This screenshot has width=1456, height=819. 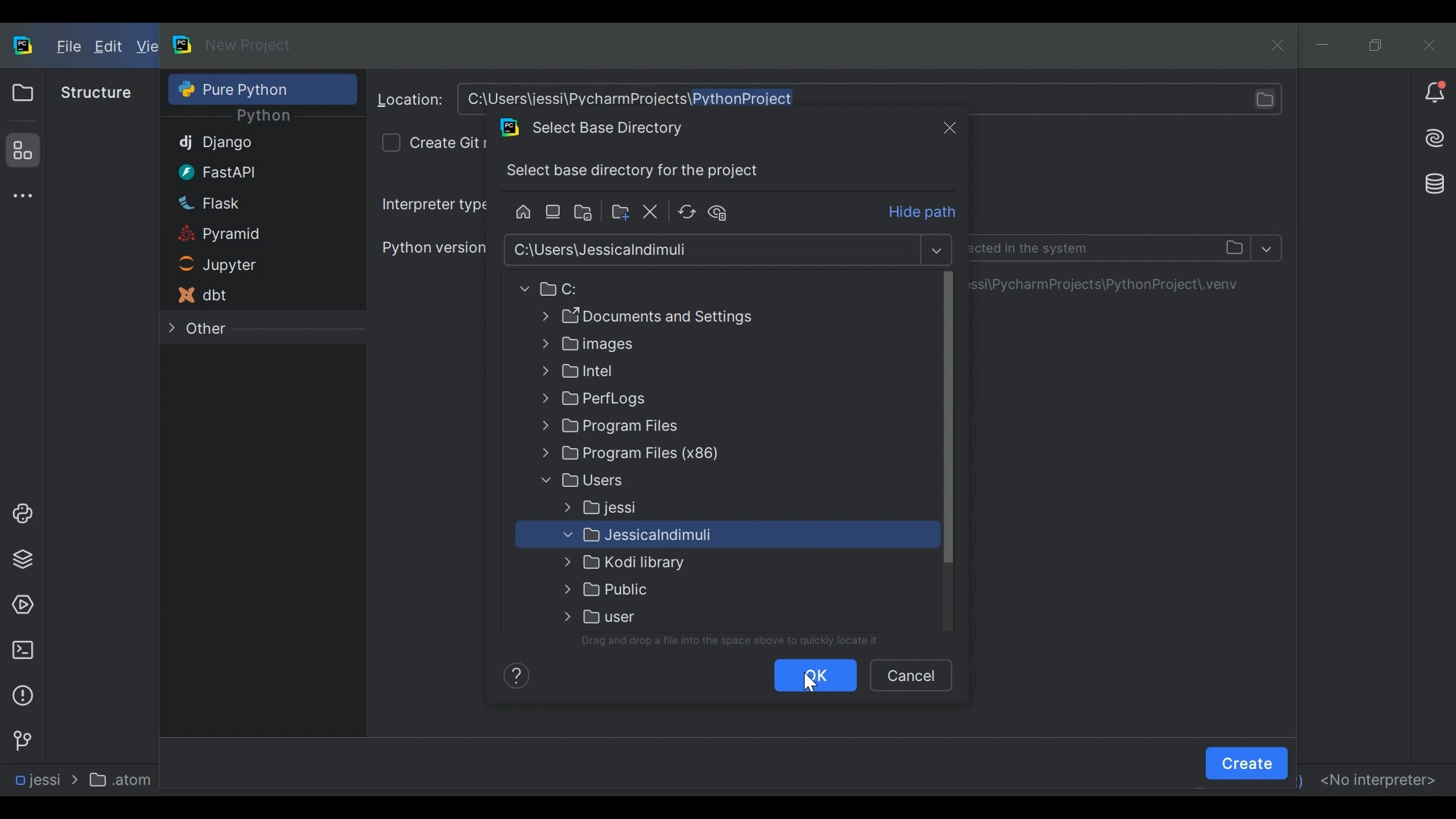 What do you see at coordinates (708, 537) in the screenshot?
I see `submenu Folder Path` at bounding box center [708, 537].